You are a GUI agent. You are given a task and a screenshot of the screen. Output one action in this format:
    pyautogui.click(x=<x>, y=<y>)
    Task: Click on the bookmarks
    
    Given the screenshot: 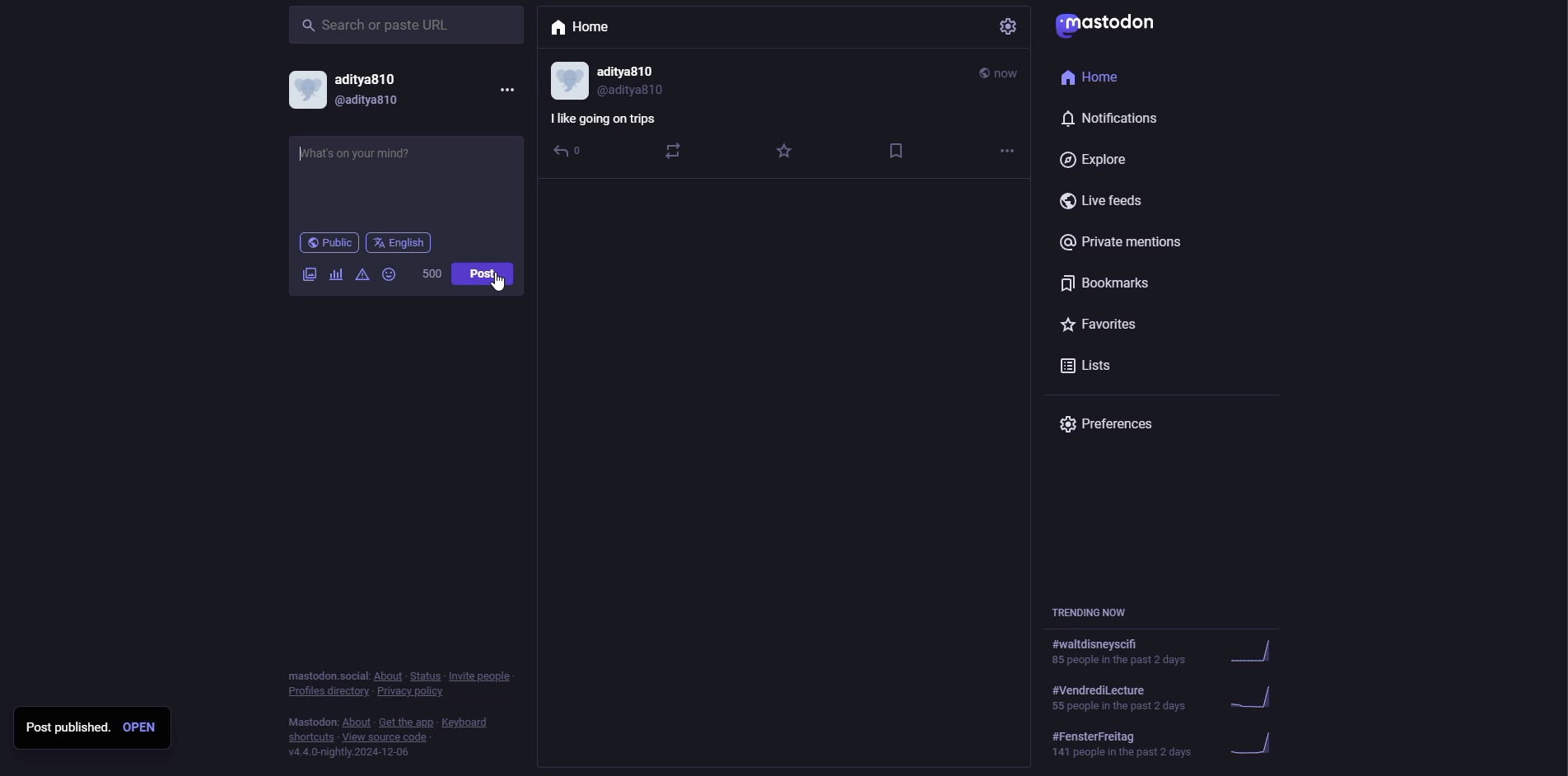 What is the action you would take?
    pyautogui.click(x=1107, y=285)
    